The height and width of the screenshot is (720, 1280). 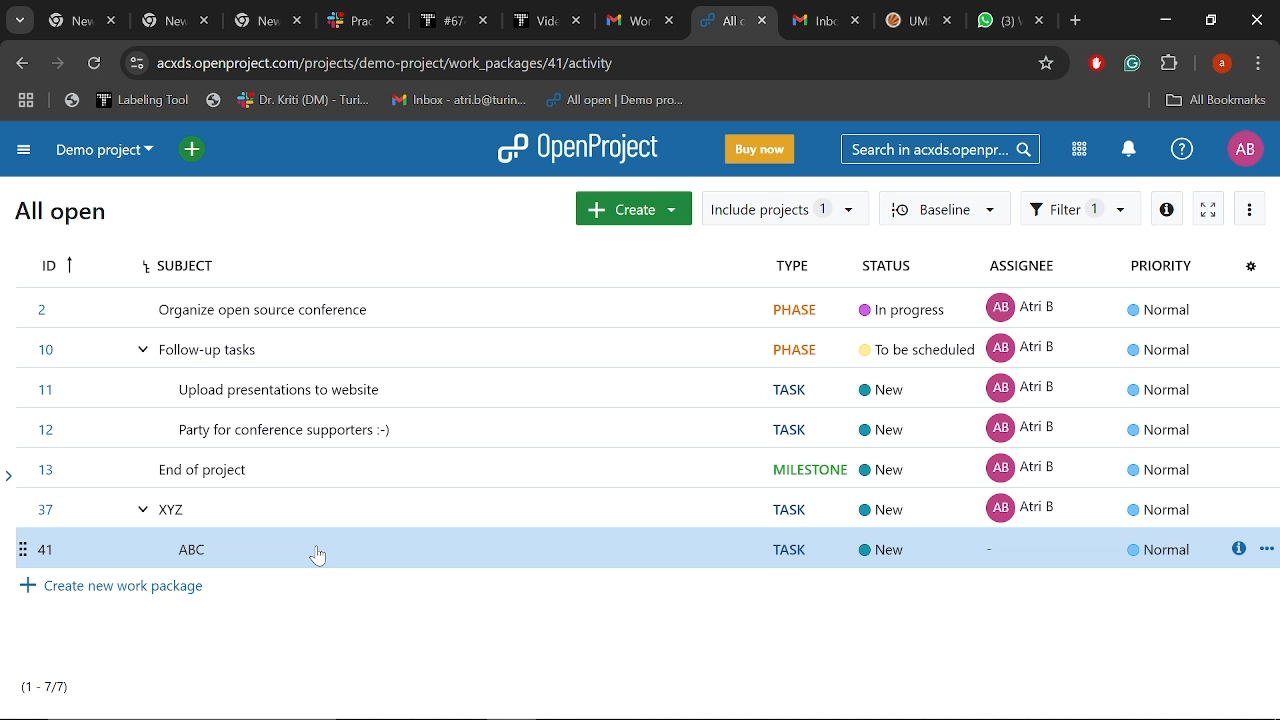 I want to click on task ID 11, so click(x=650, y=390).